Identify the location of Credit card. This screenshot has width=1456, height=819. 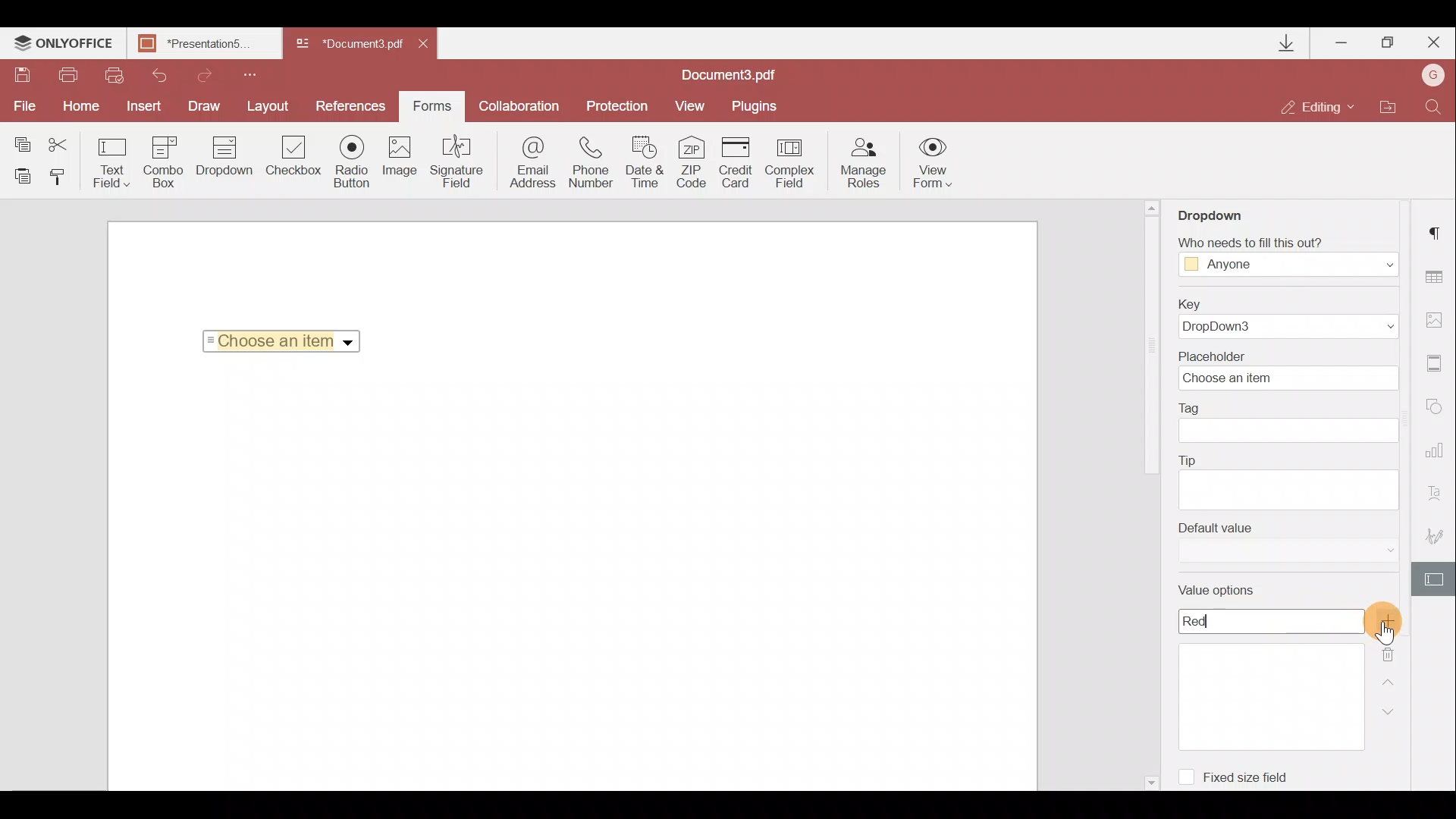
(738, 161).